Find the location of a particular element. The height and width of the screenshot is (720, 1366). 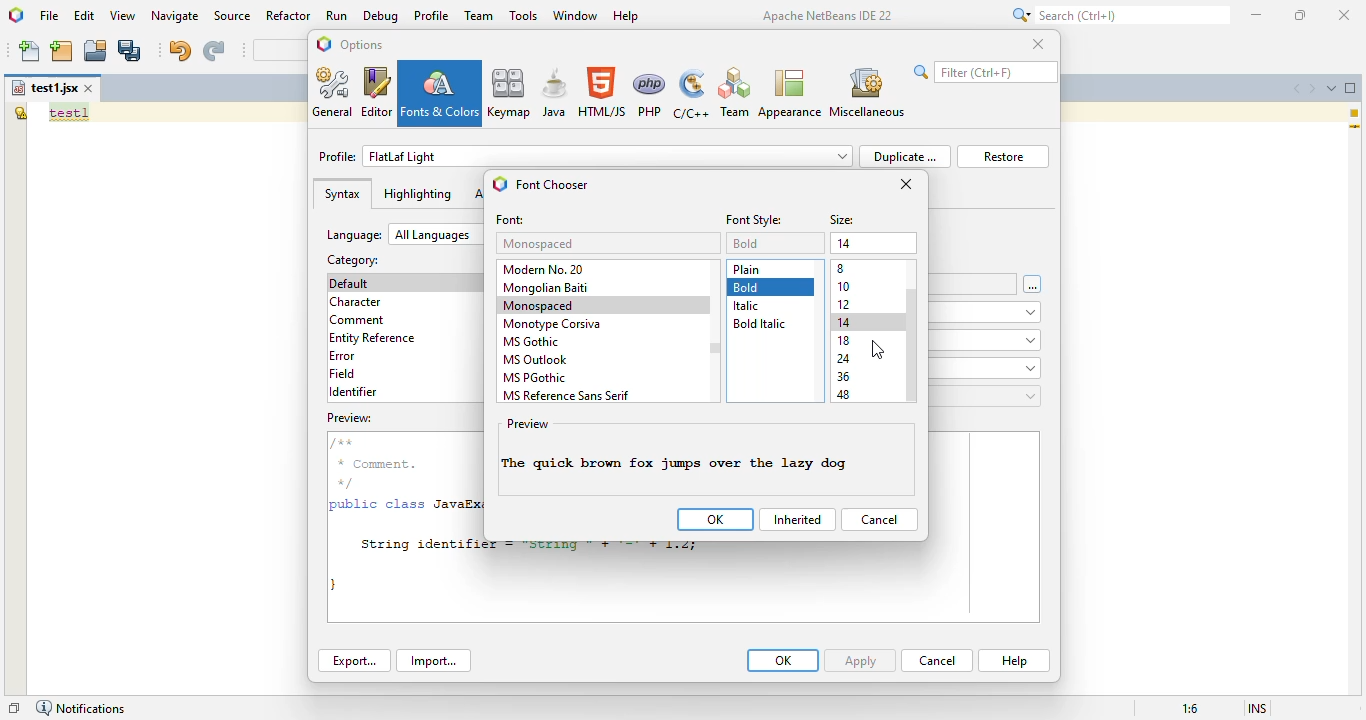

view is located at coordinates (123, 16).